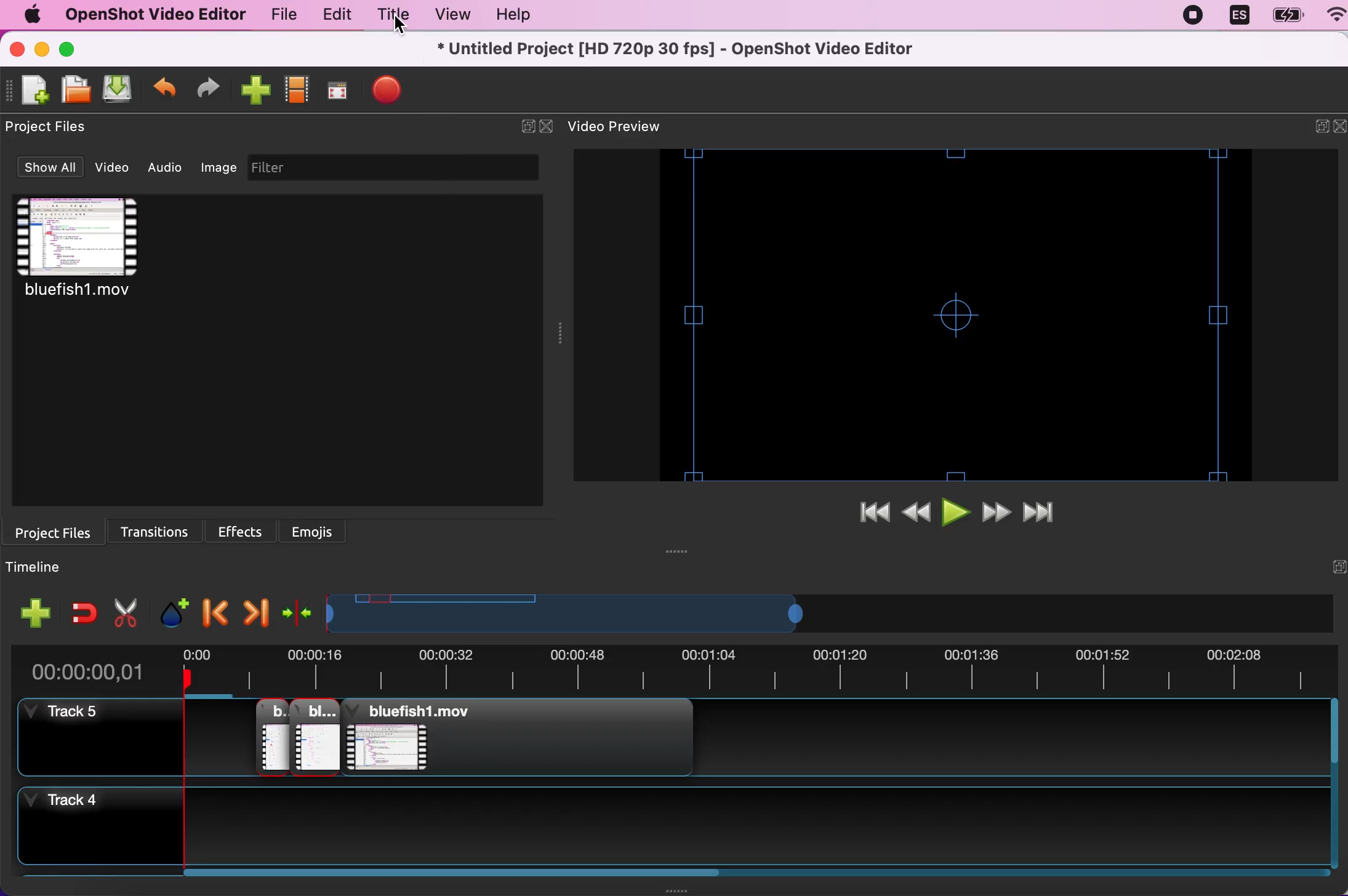 This screenshot has width=1348, height=896. I want to click on video, so click(116, 167).